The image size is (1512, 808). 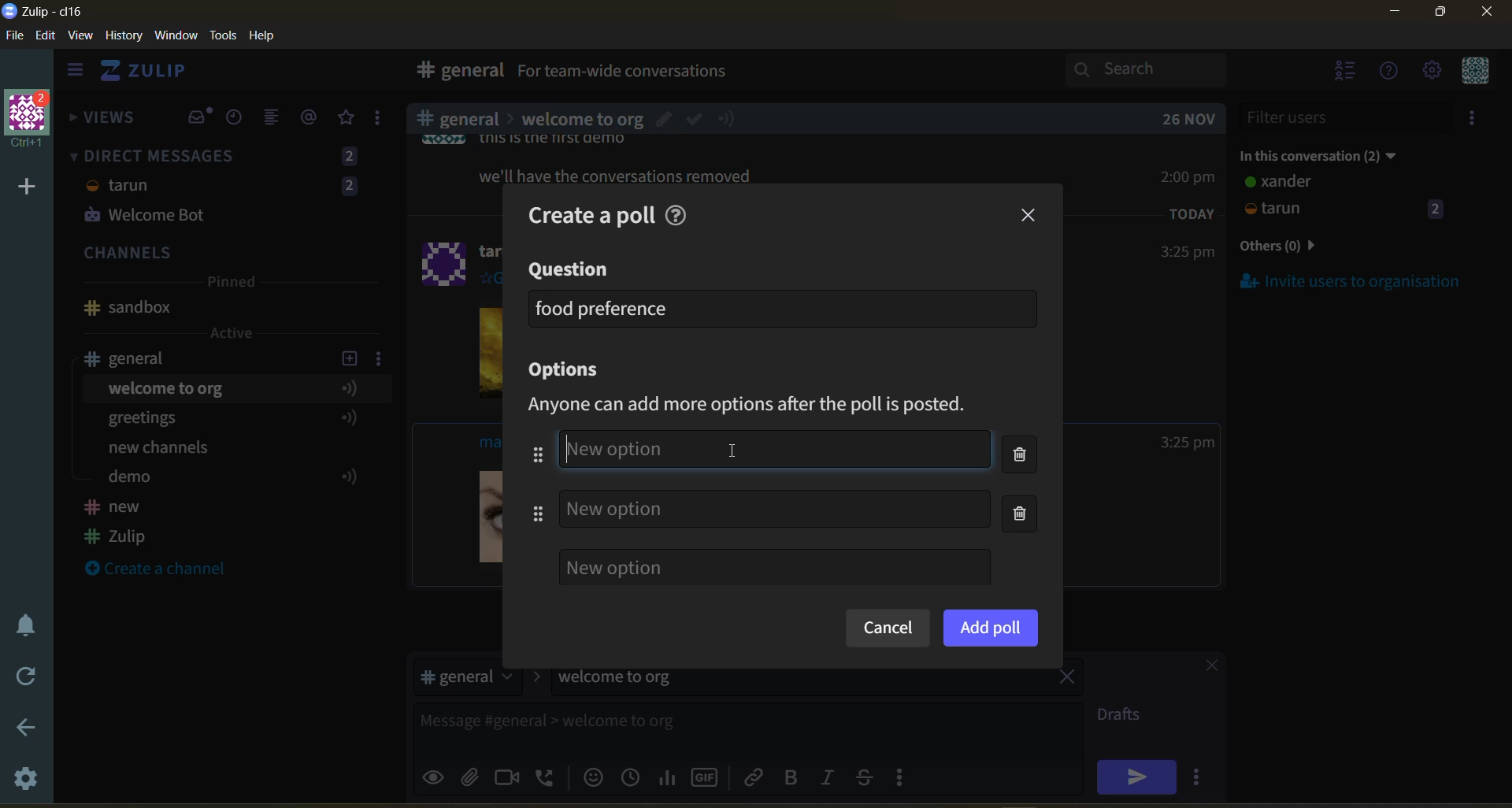 I want to click on hide side bar, so click(x=75, y=73).